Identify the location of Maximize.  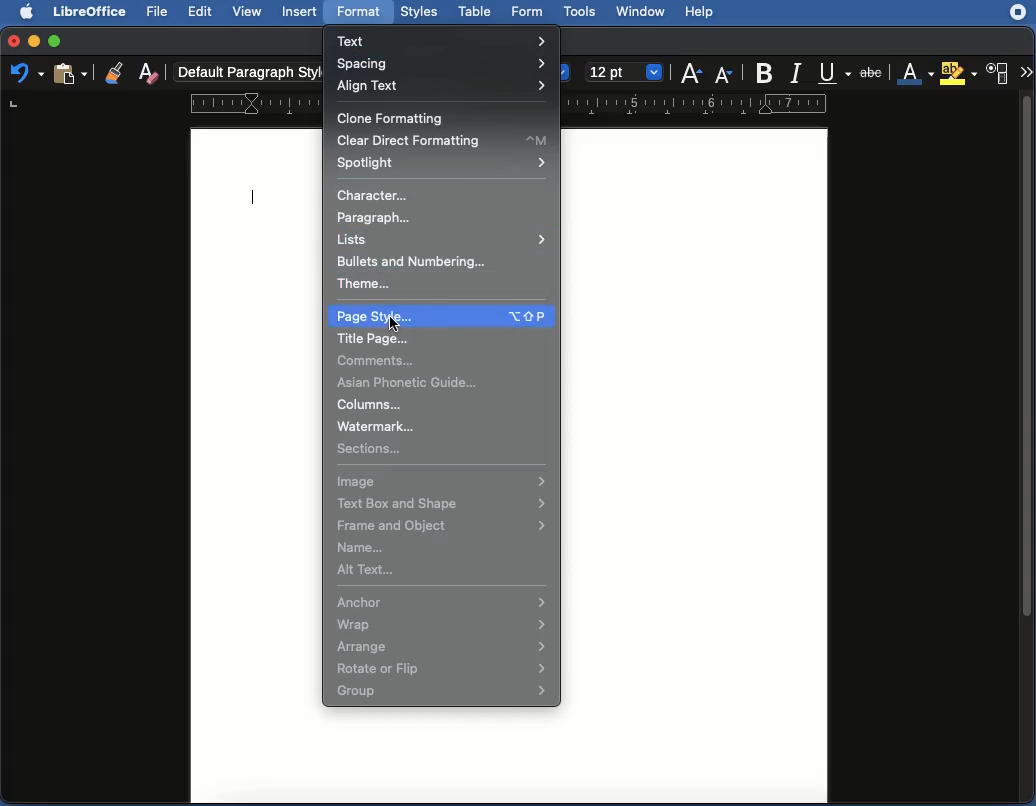
(57, 40).